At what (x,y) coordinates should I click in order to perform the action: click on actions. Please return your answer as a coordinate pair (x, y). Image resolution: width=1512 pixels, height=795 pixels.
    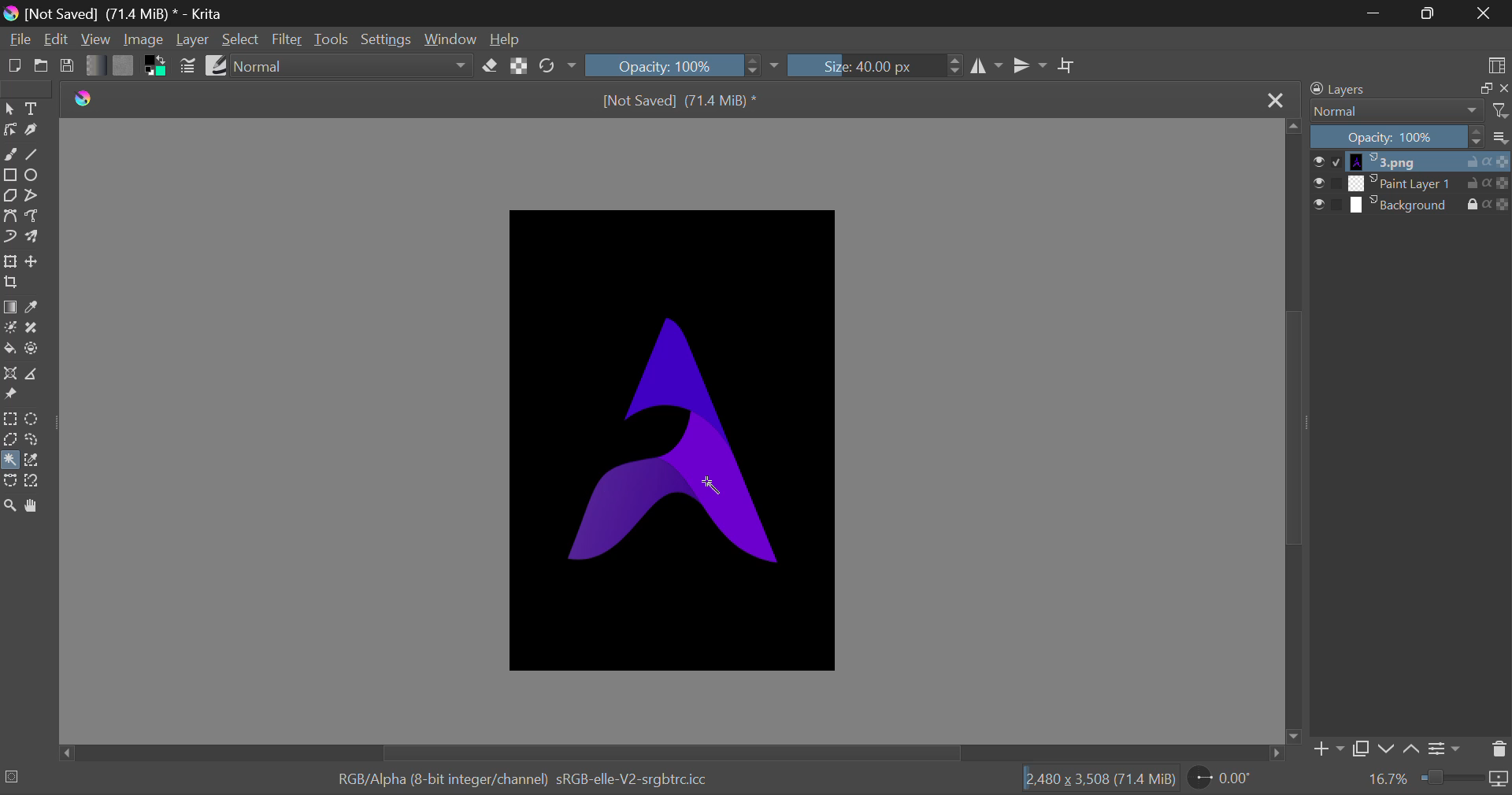
    Looking at the image, I should click on (1488, 204).